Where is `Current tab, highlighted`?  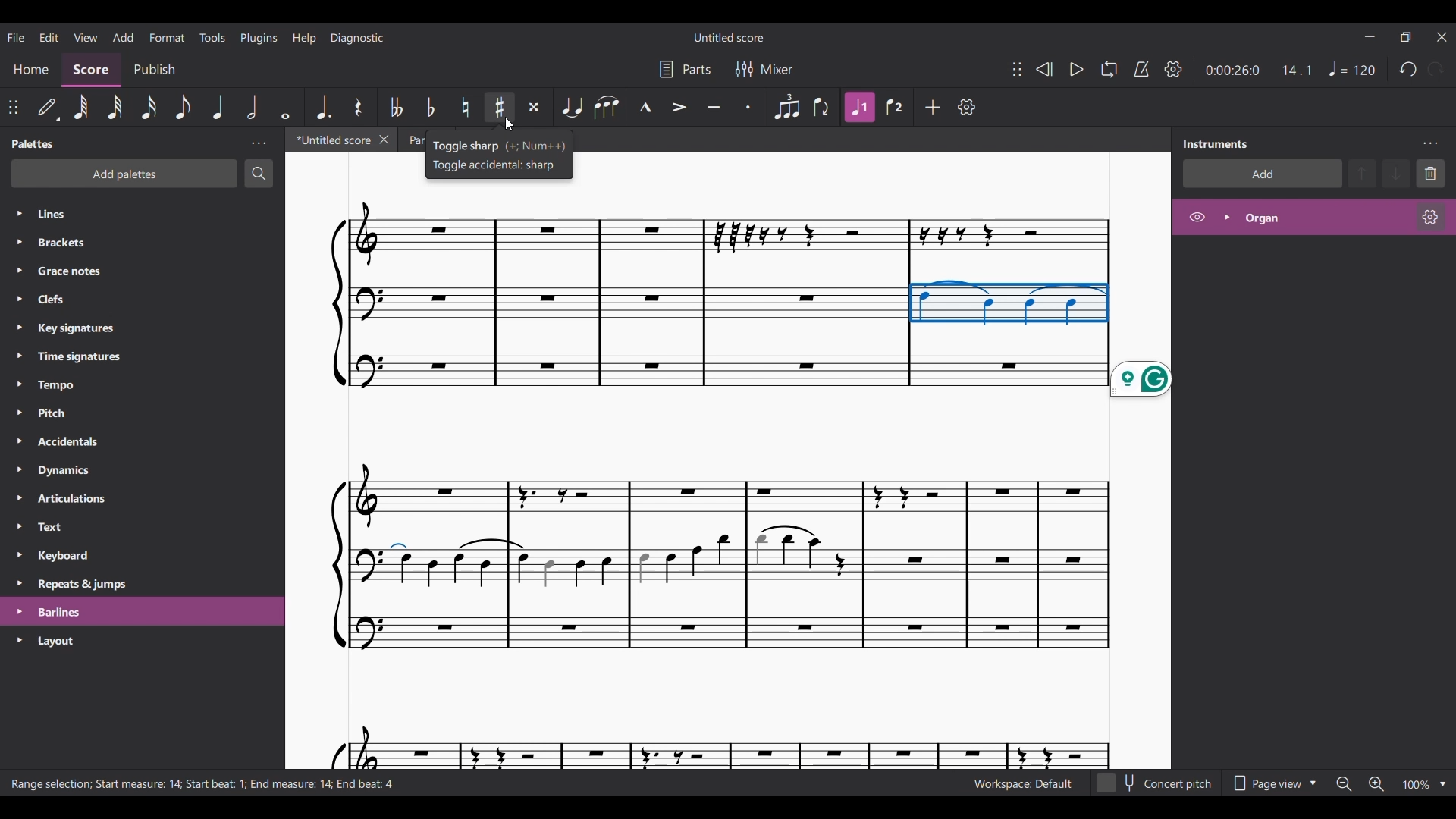 Current tab, highlighted is located at coordinates (329, 139).